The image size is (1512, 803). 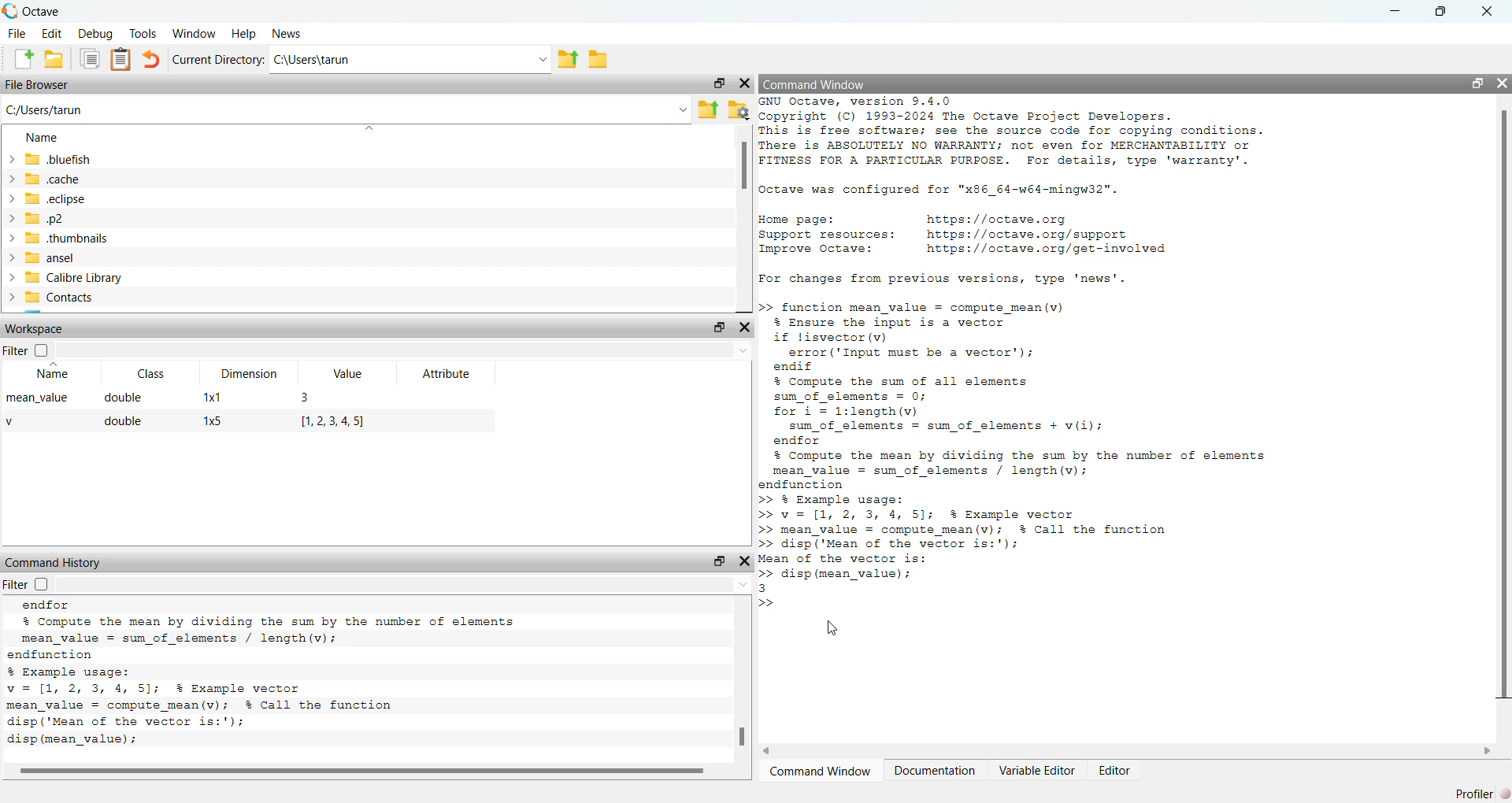 What do you see at coordinates (75, 279) in the screenshot?
I see `calibre library` at bounding box center [75, 279].